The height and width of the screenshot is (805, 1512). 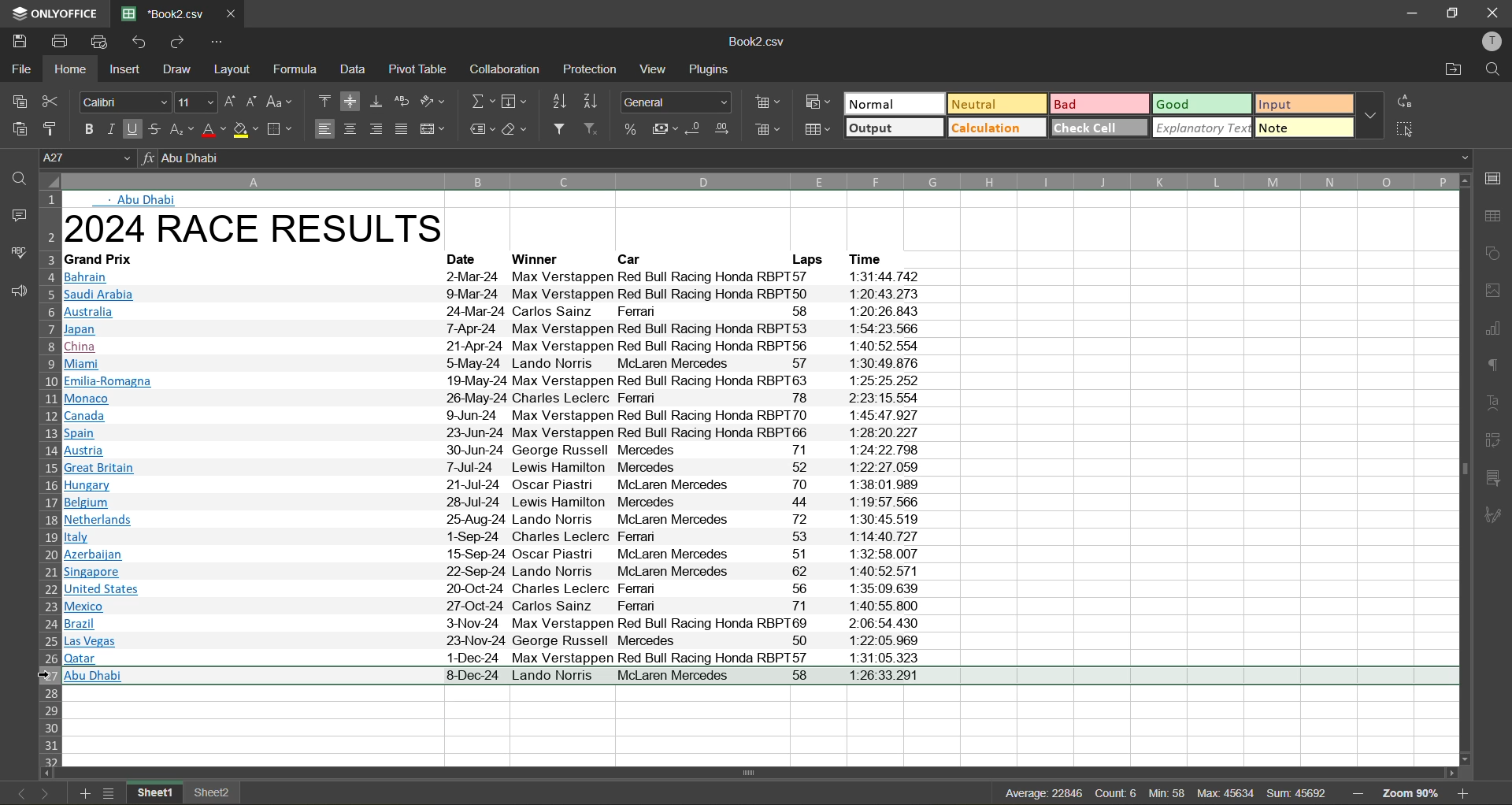 What do you see at coordinates (325, 103) in the screenshot?
I see `align top` at bounding box center [325, 103].